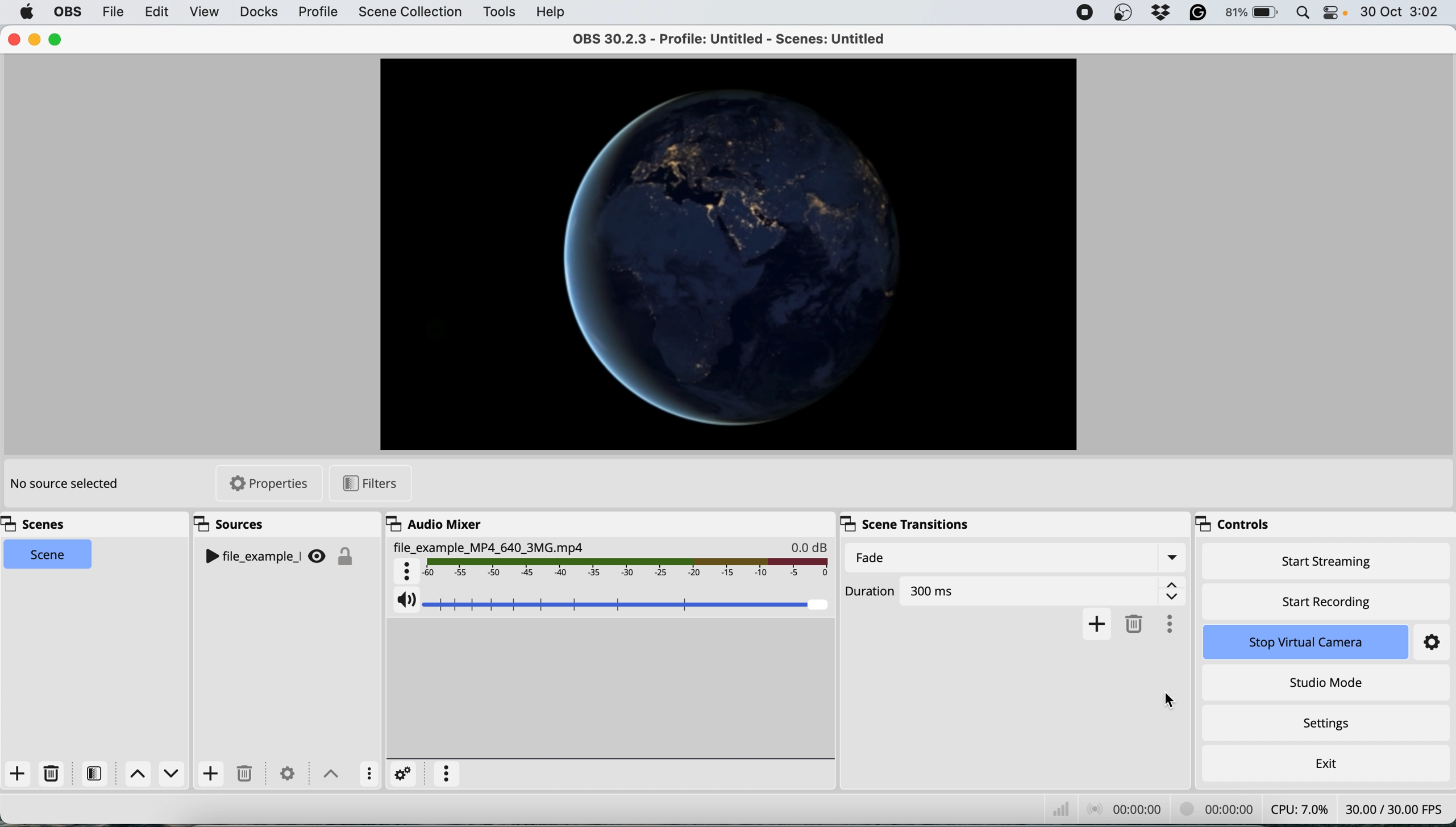 This screenshot has height=827, width=1456. Describe the element at coordinates (446, 771) in the screenshot. I see `more options` at that location.